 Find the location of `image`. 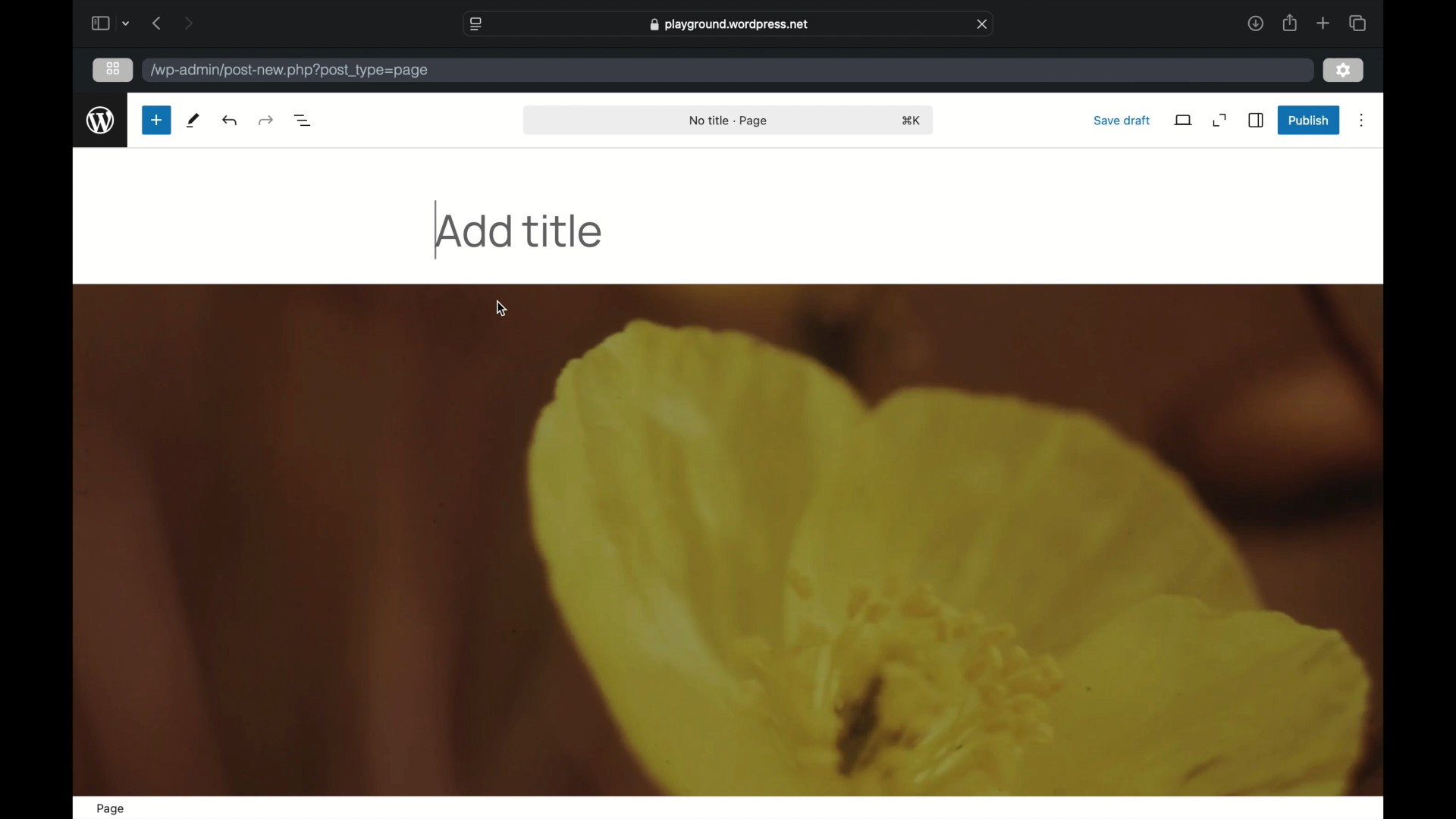

image is located at coordinates (727, 538).